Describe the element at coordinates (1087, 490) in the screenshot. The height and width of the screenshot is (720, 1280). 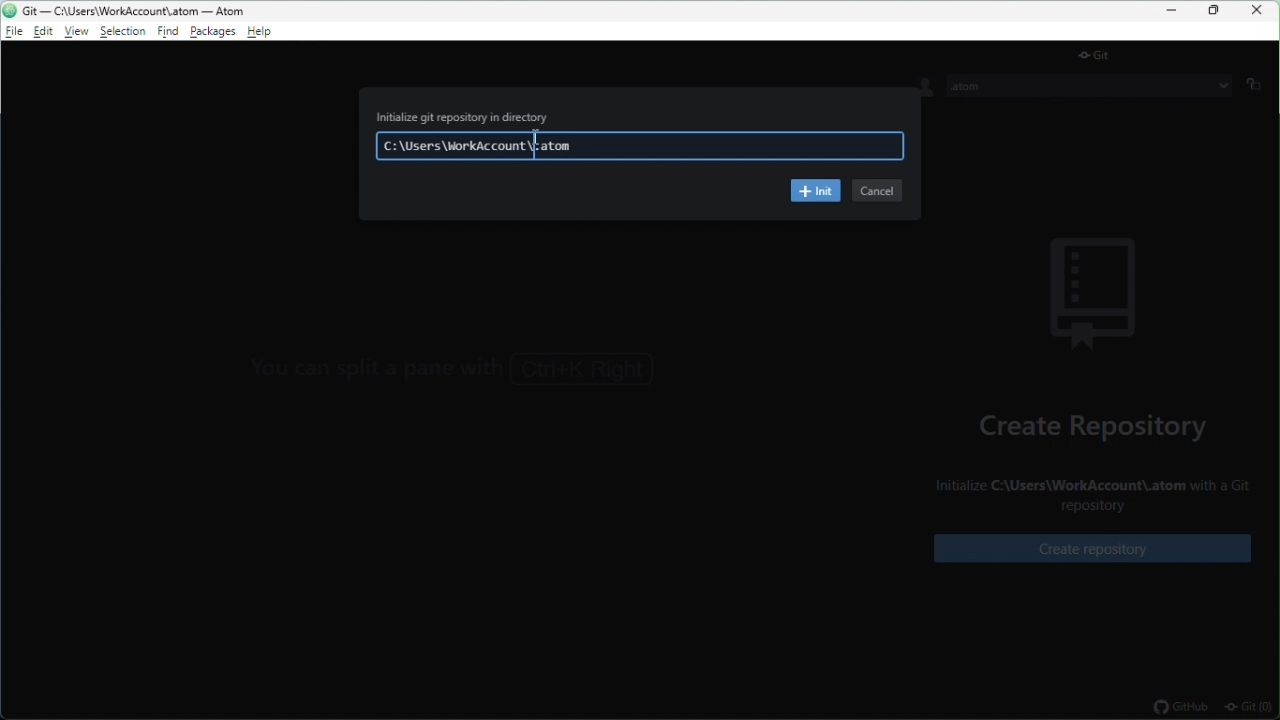
I see `Initialize C:\Users\WorkAccount\.atom with a Git repository` at that location.